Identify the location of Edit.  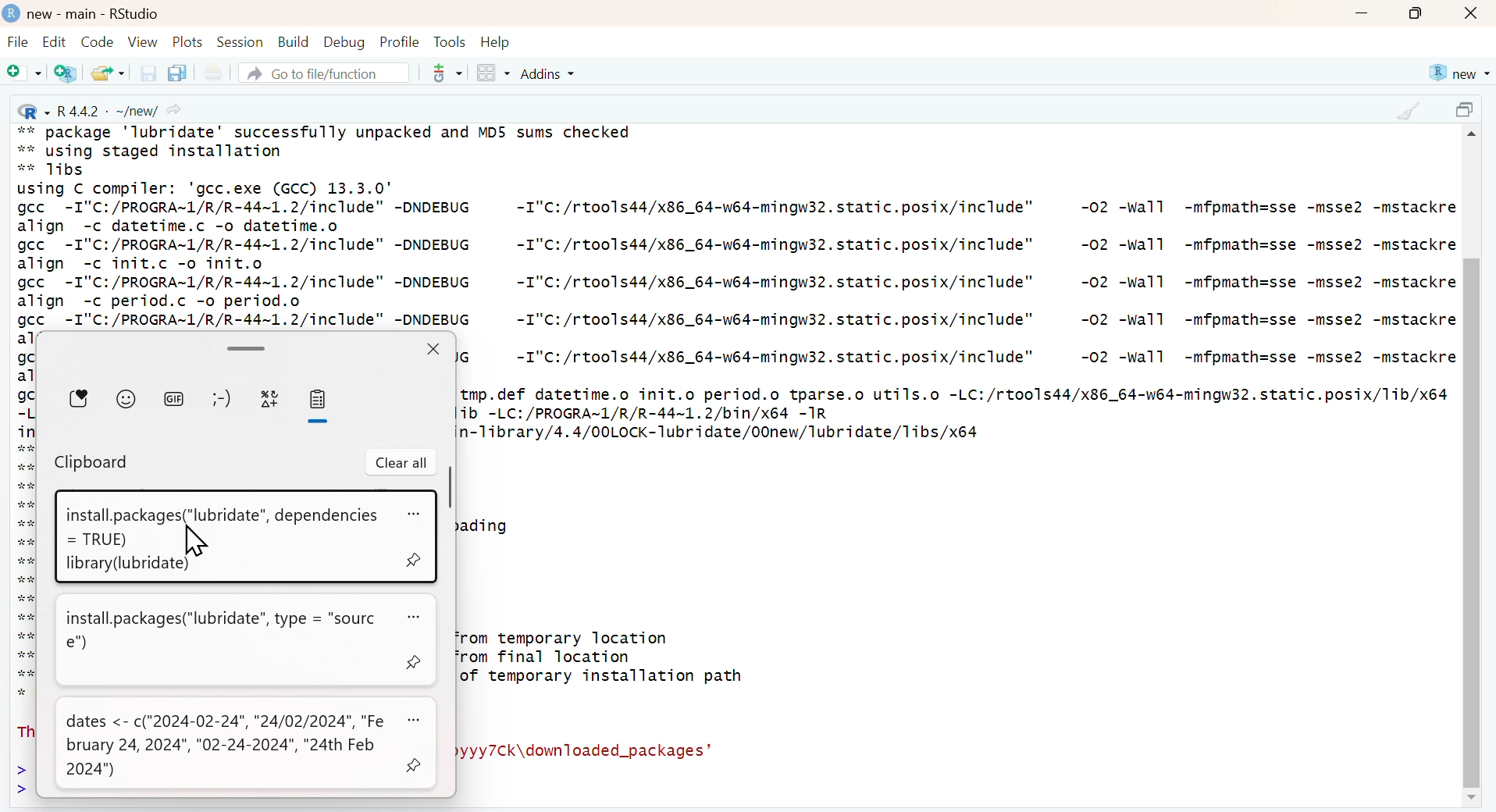
(54, 41).